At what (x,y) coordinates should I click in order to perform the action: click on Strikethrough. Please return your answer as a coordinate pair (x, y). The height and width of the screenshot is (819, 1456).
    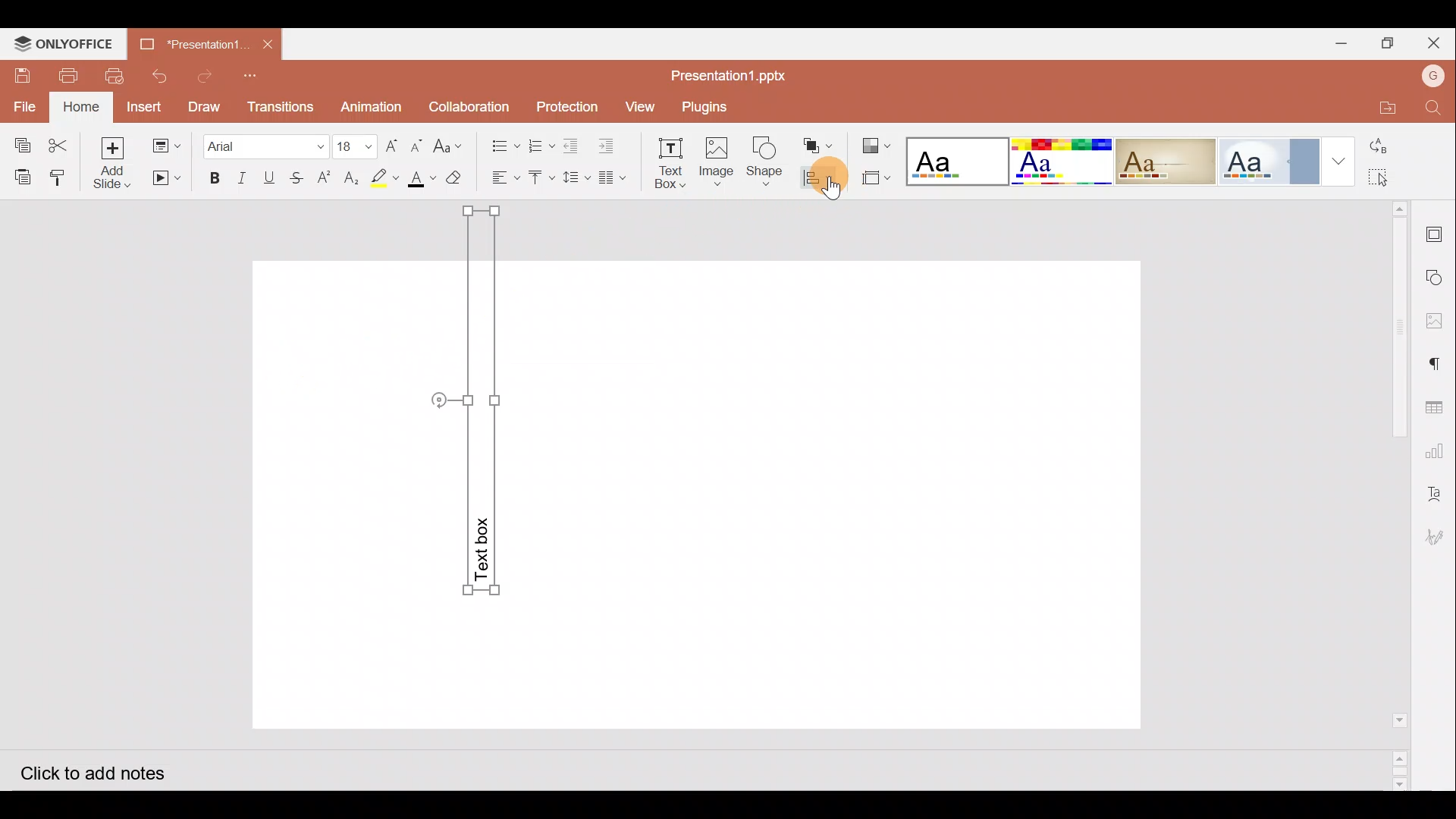
    Looking at the image, I should click on (294, 177).